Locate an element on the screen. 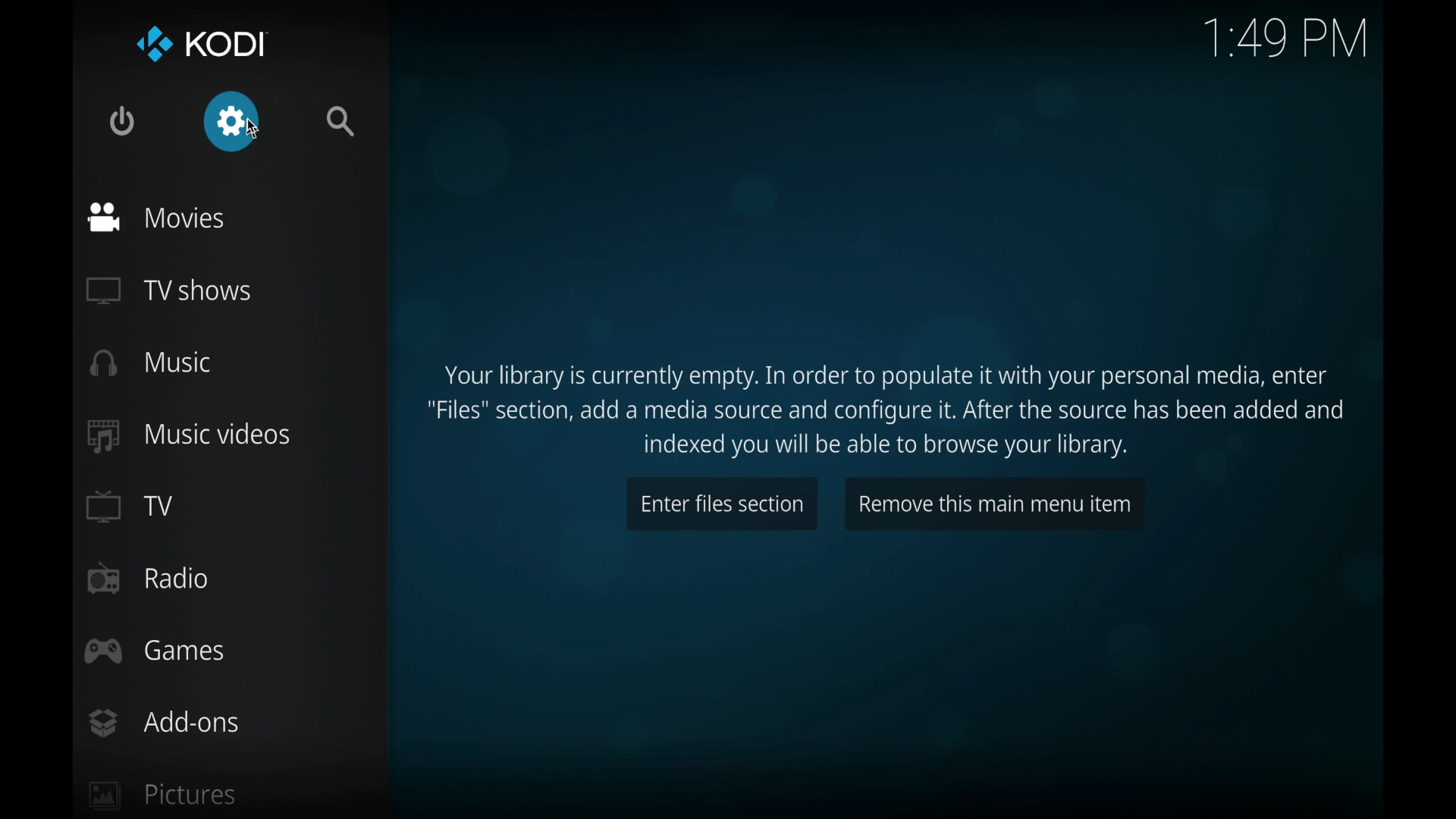  enter files section is located at coordinates (722, 504).